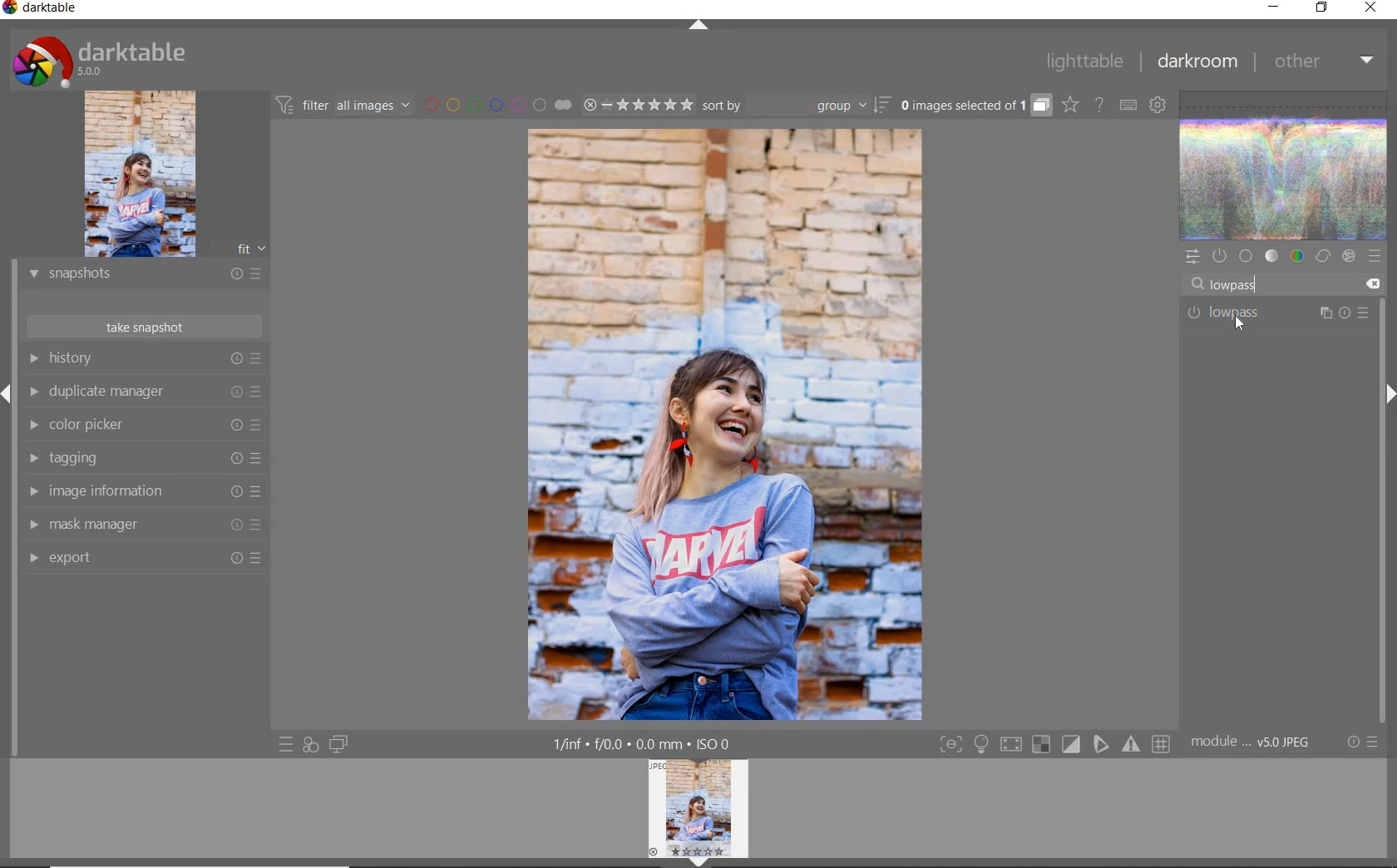 This screenshot has width=1397, height=868. I want to click on click to change overlays on thumbnails, so click(1069, 104).